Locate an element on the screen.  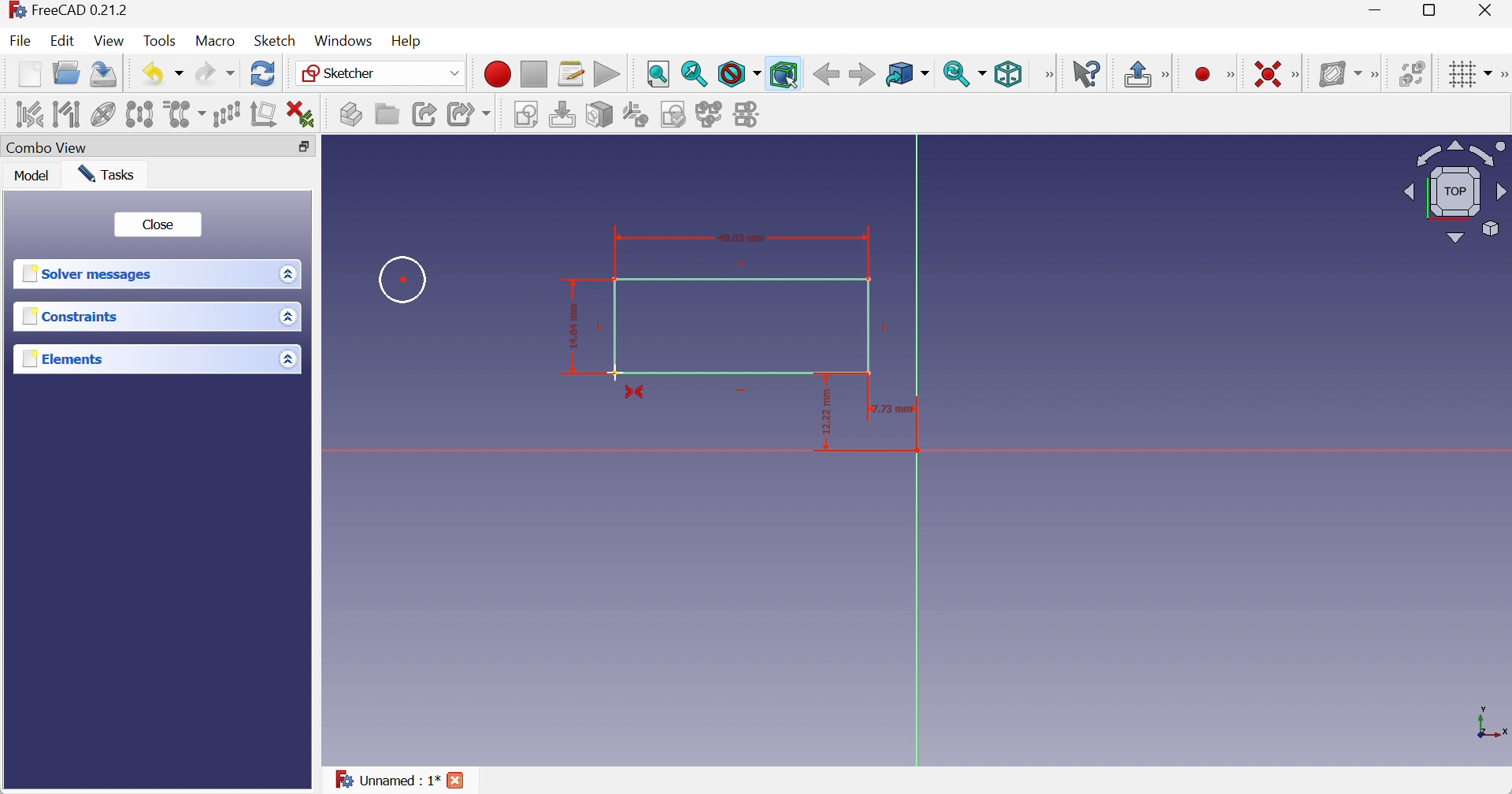
Show/hide internal geometry is located at coordinates (103, 114).